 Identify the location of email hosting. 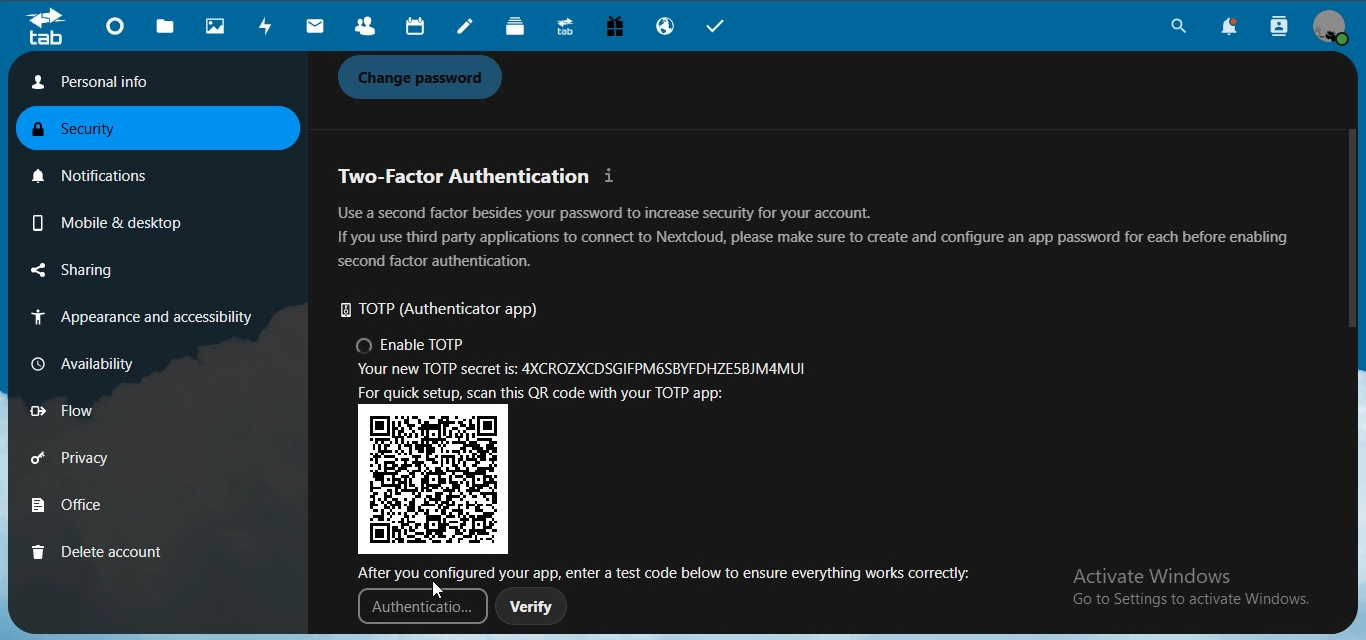
(668, 28).